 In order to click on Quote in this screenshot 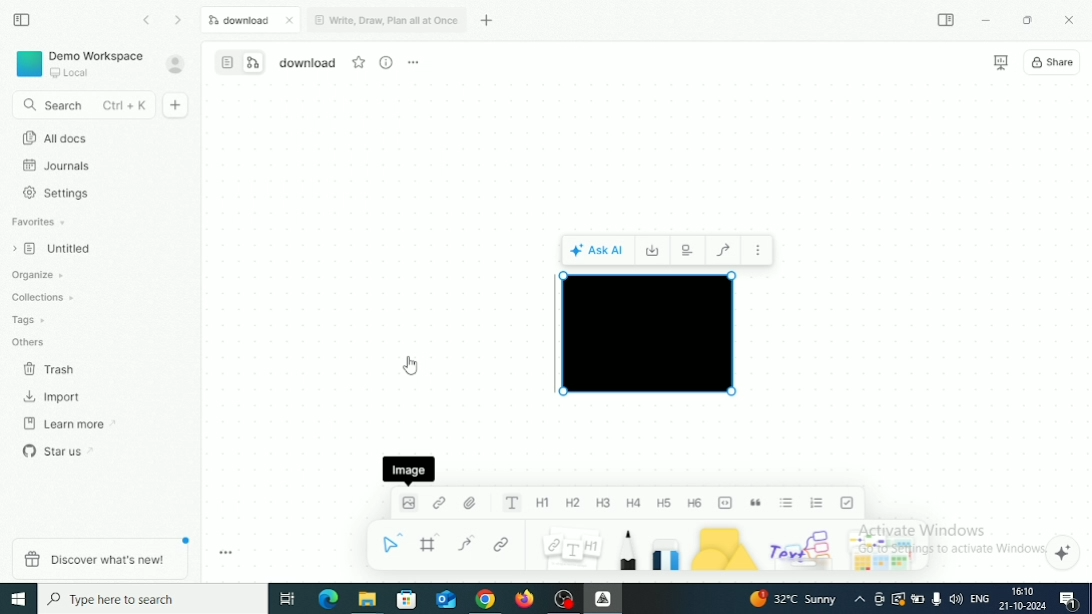, I will do `click(757, 503)`.